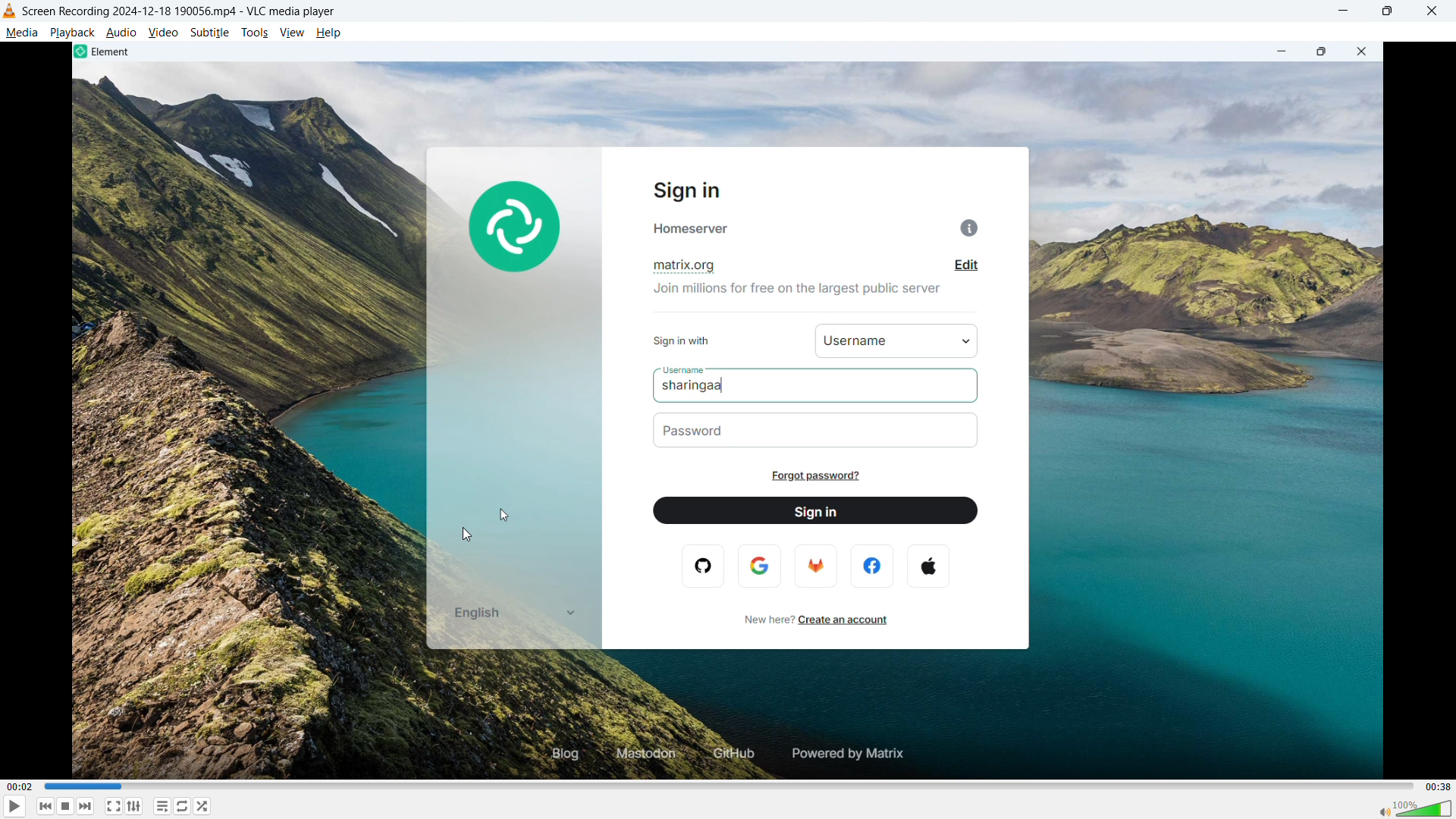 The height and width of the screenshot is (819, 1456). I want to click on Homeserver, so click(821, 227).